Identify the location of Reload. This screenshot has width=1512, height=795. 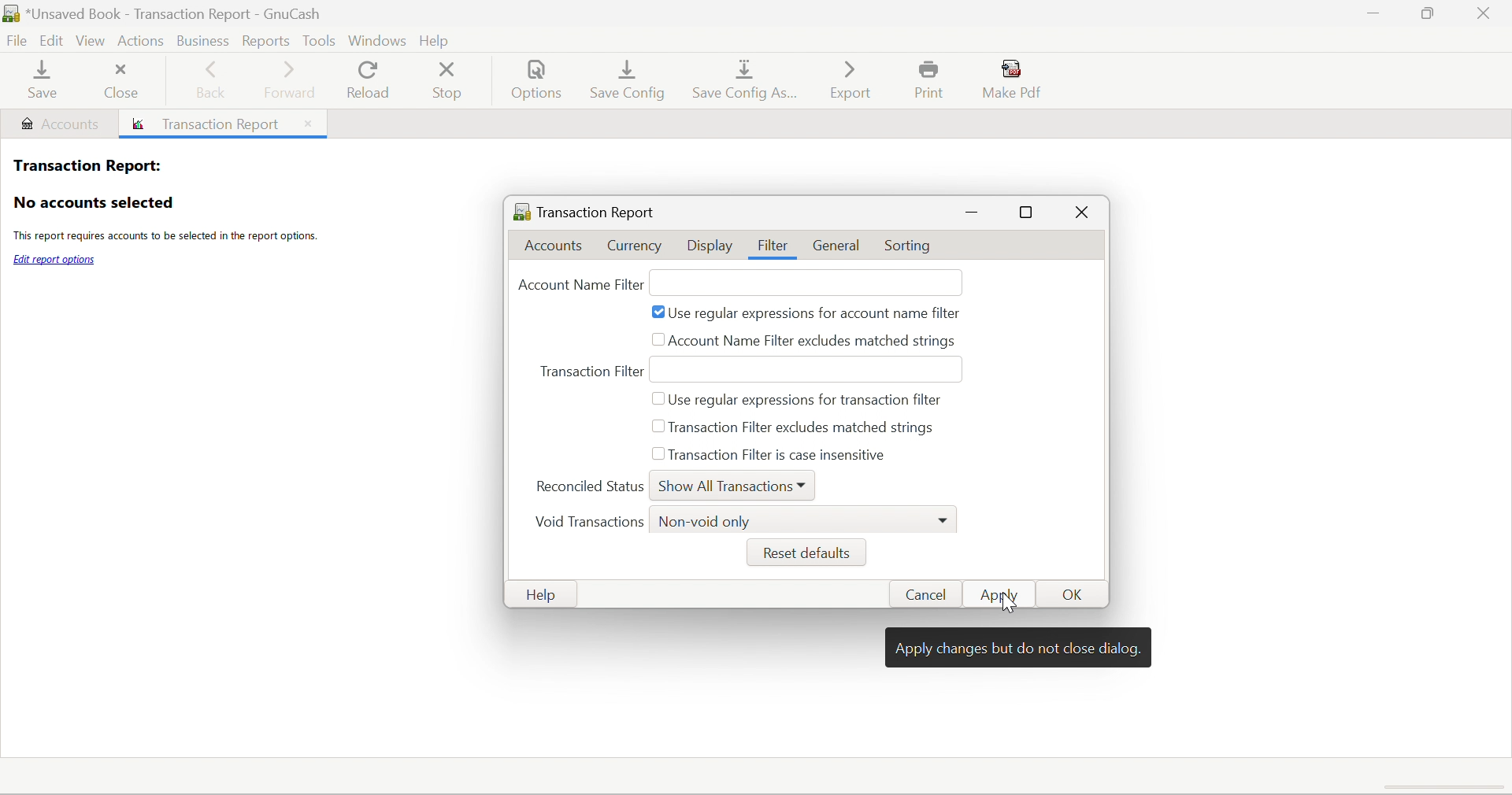
(367, 80).